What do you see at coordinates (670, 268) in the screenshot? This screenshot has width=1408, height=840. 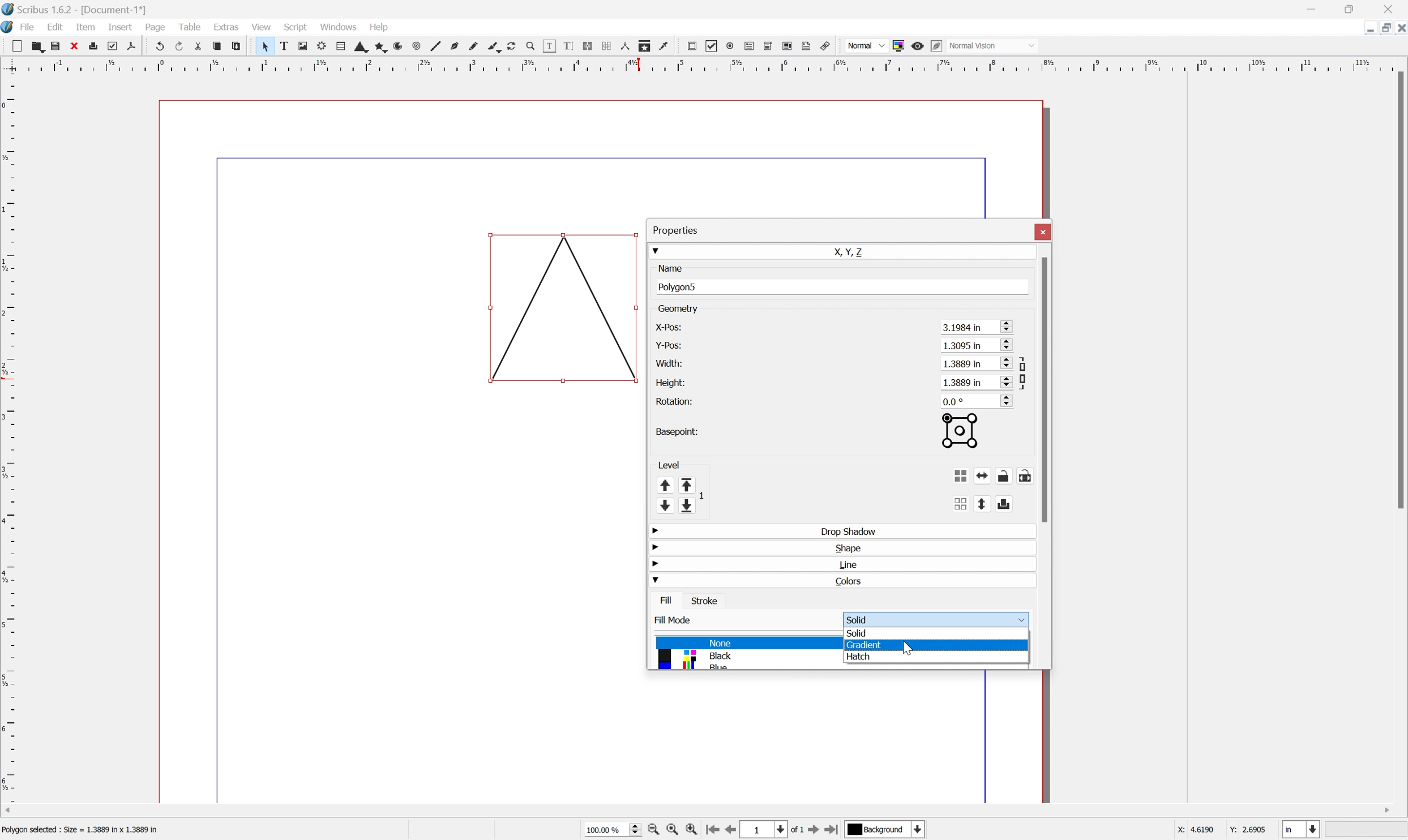 I see `Name` at bounding box center [670, 268].